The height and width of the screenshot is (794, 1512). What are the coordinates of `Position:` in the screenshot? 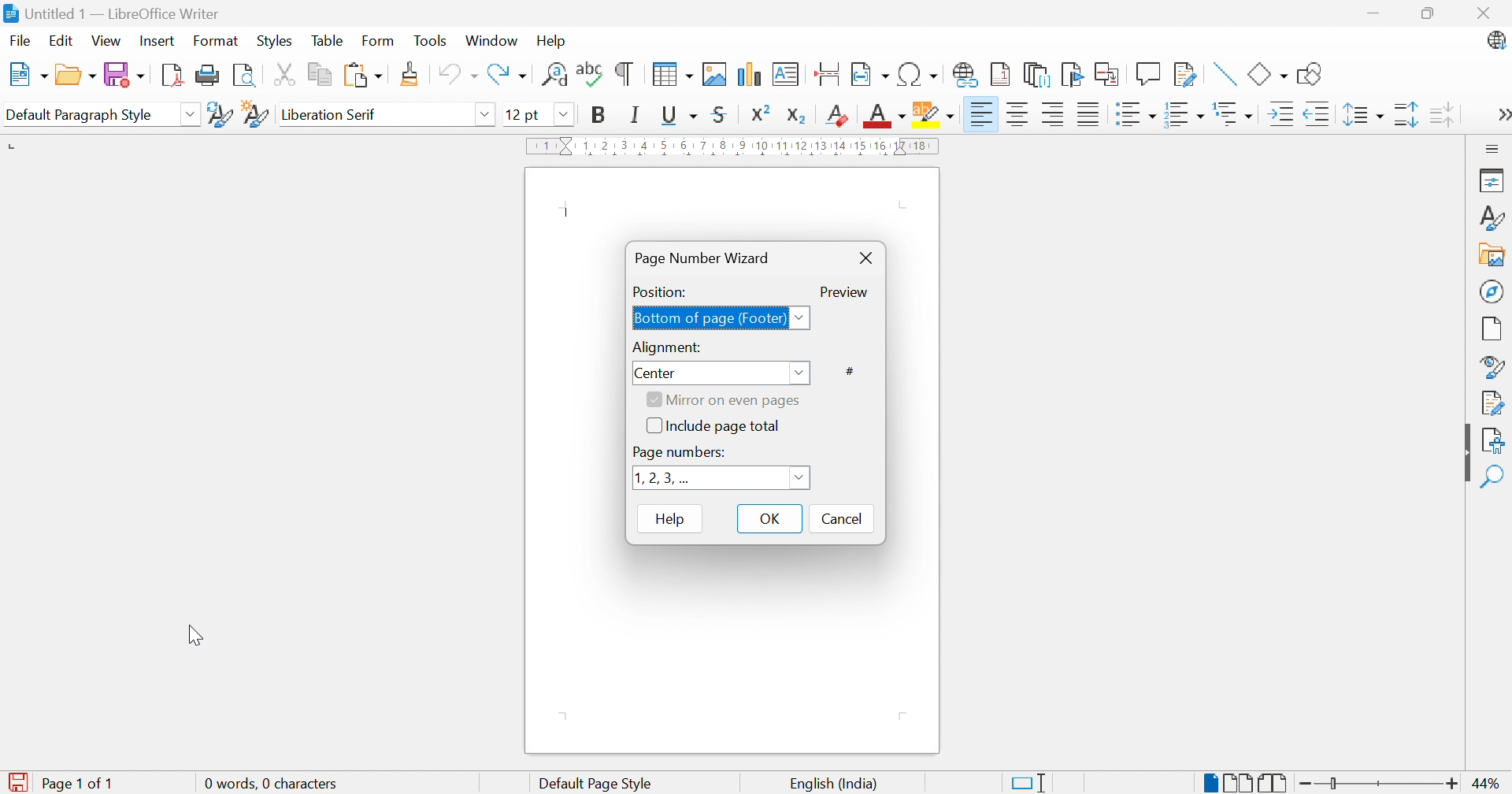 It's located at (660, 293).